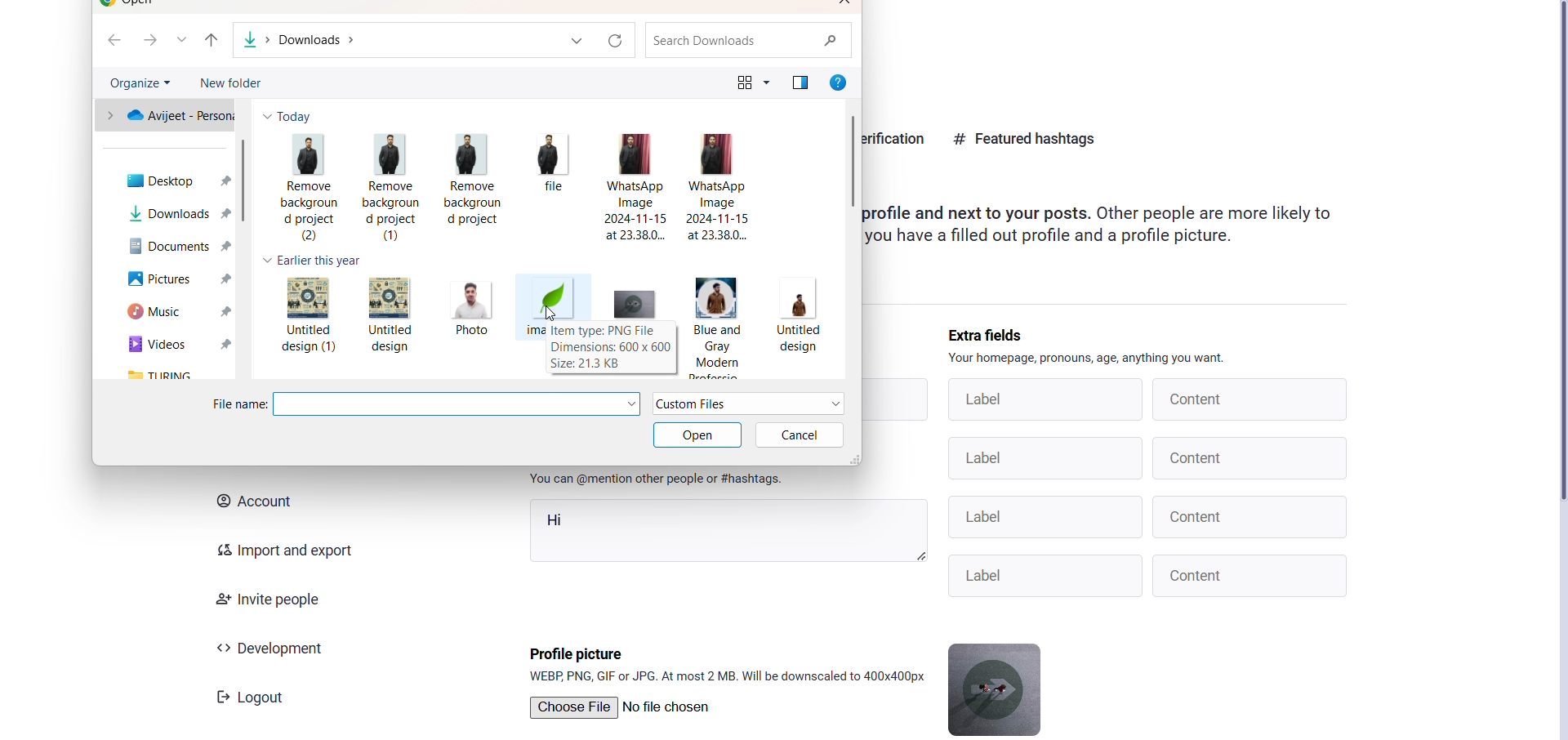 This screenshot has width=1568, height=740. Describe the element at coordinates (798, 326) in the screenshot. I see `Untitled design` at that location.